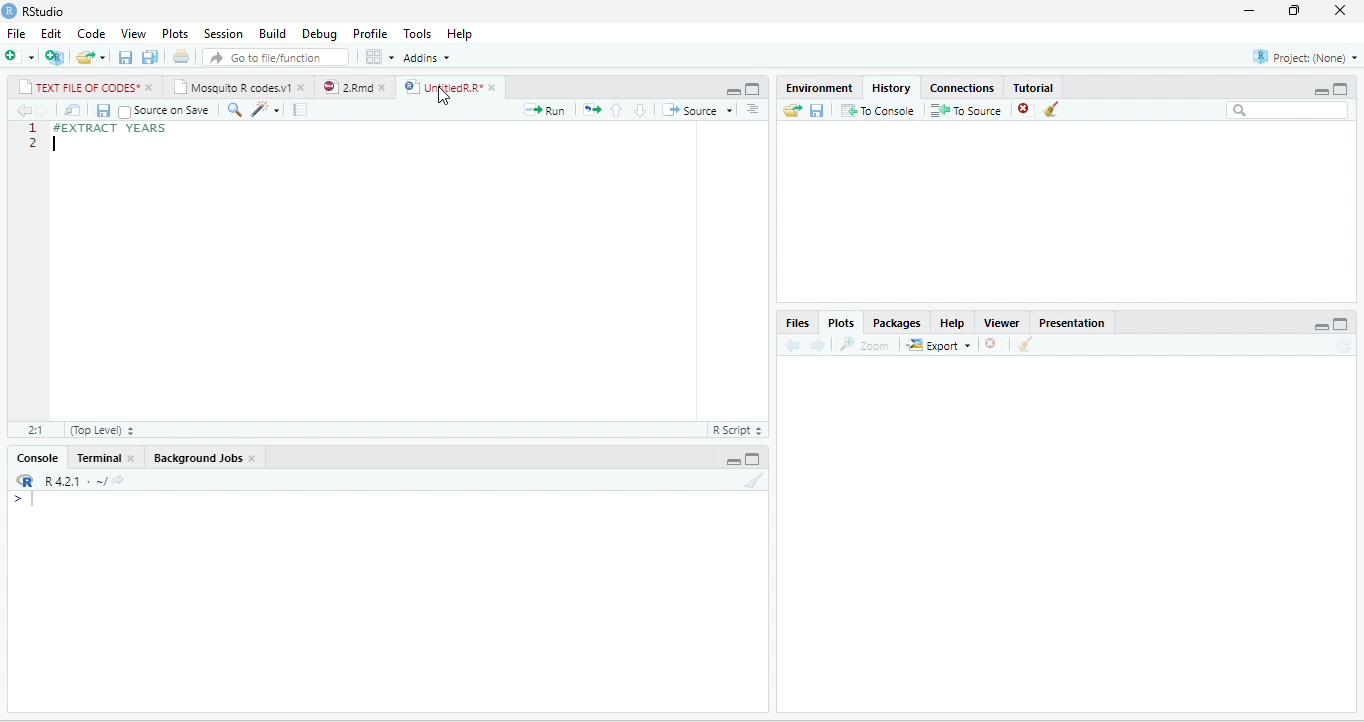  What do you see at coordinates (898, 323) in the screenshot?
I see `Packages` at bounding box center [898, 323].